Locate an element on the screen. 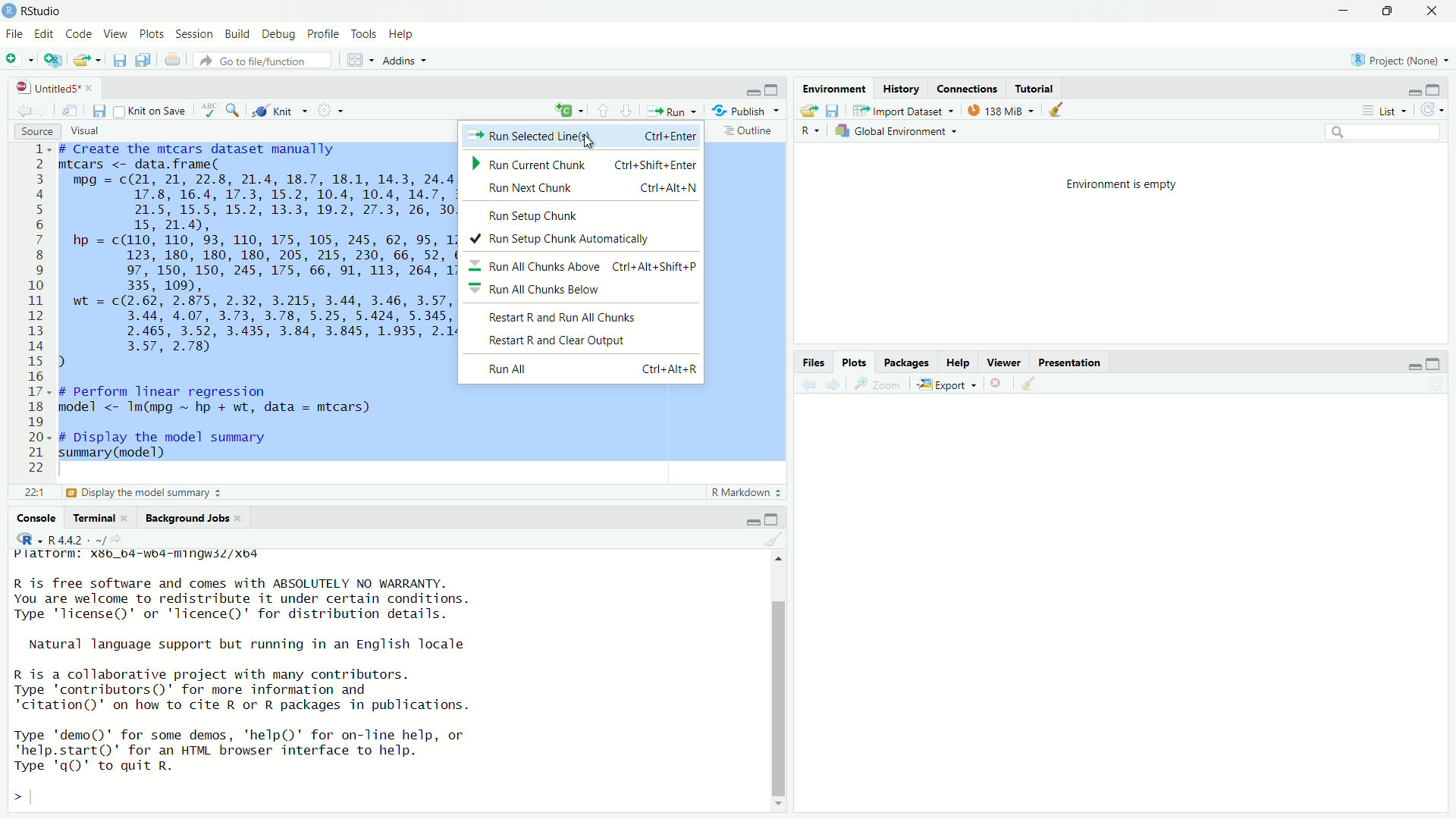  source is located at coordinates (36, 133).